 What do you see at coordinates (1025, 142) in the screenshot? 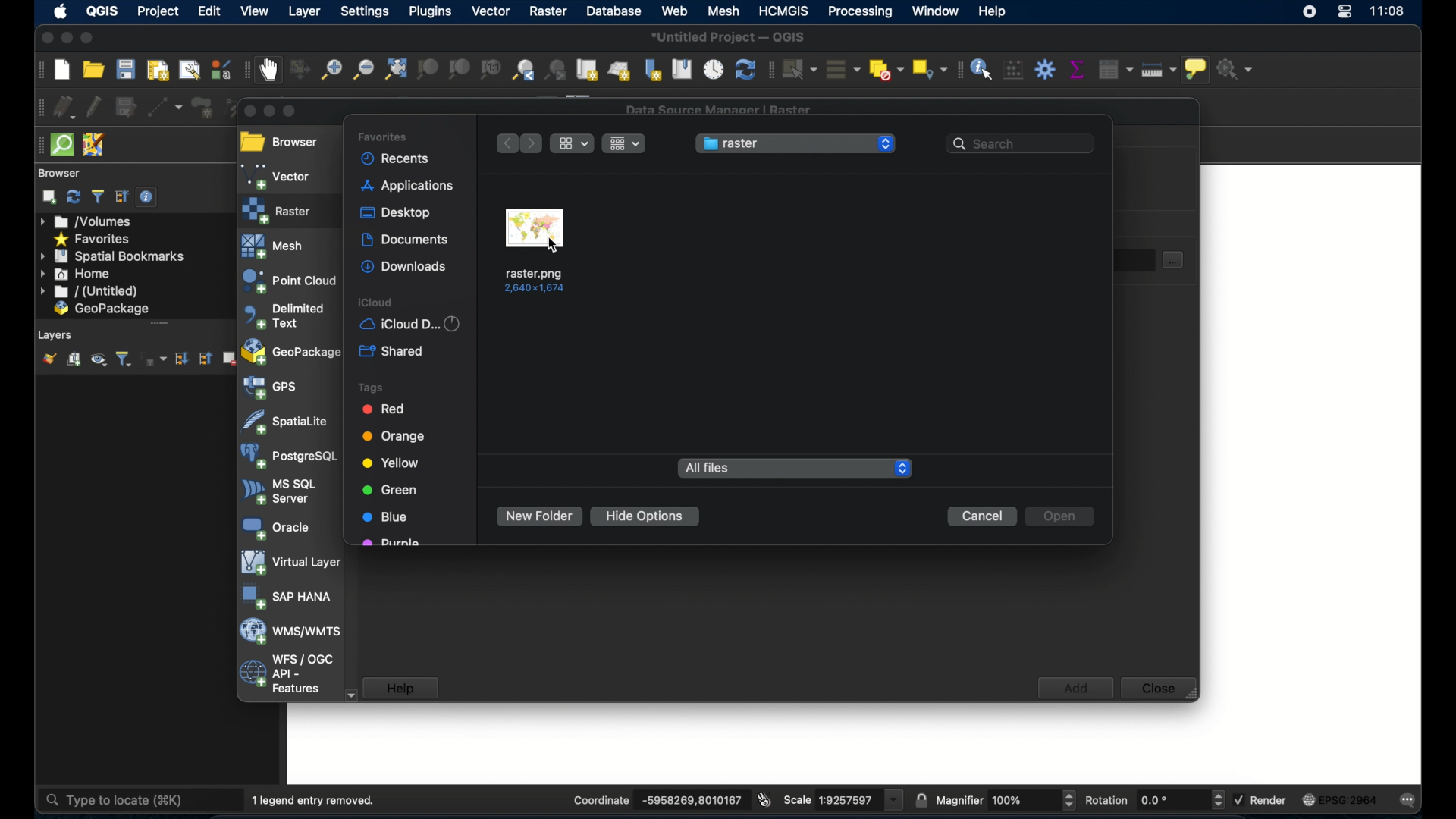
I see `search bar` at bounding box center [1025, 142].